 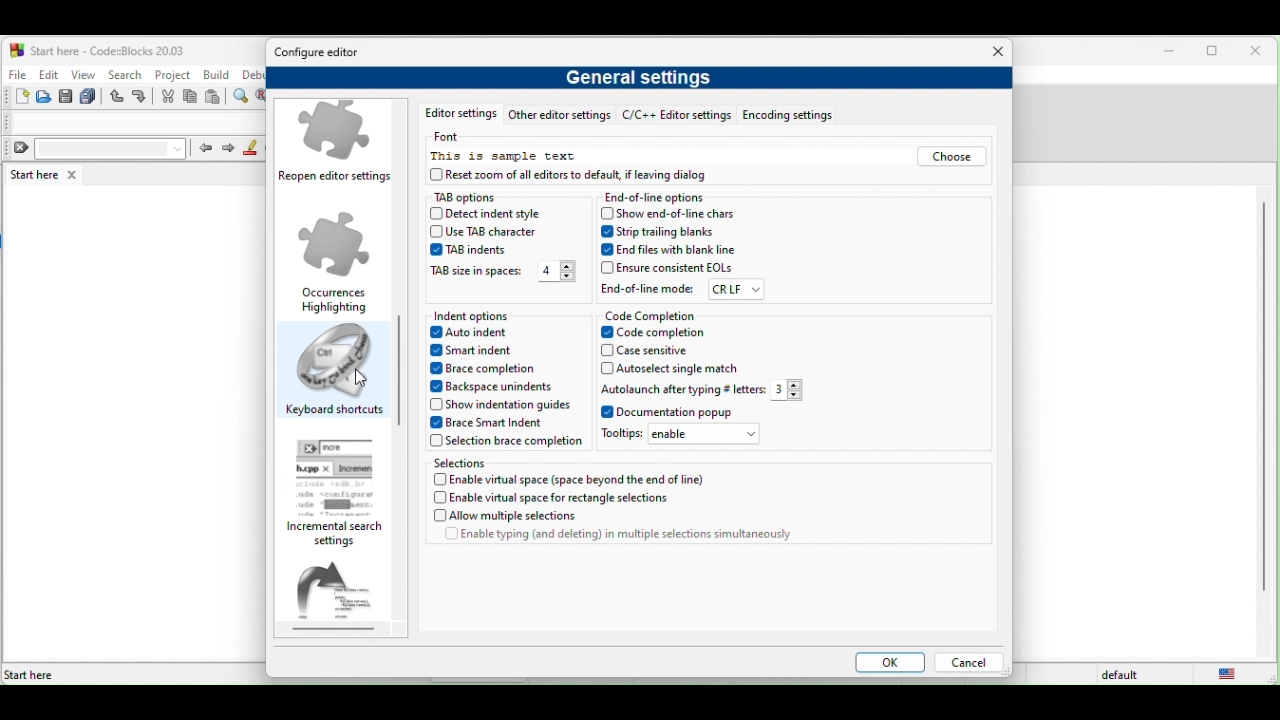 What do you see at coordinates (643, 81) in the screenshot?
I see `general settings` at bounding box center [643, 81].